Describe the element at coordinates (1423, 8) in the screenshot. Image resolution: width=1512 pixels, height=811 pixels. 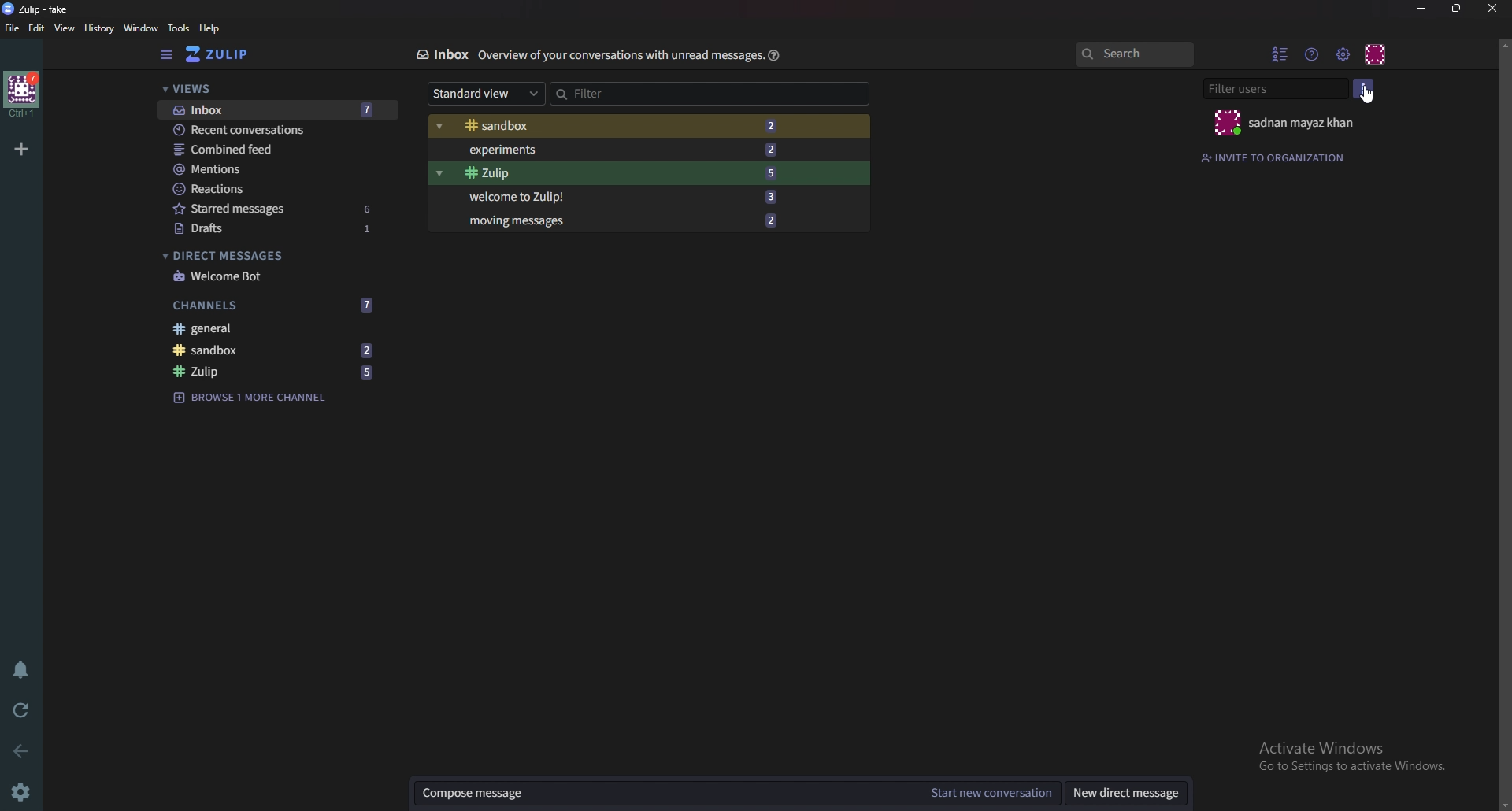
I see `Minimize` at that location.